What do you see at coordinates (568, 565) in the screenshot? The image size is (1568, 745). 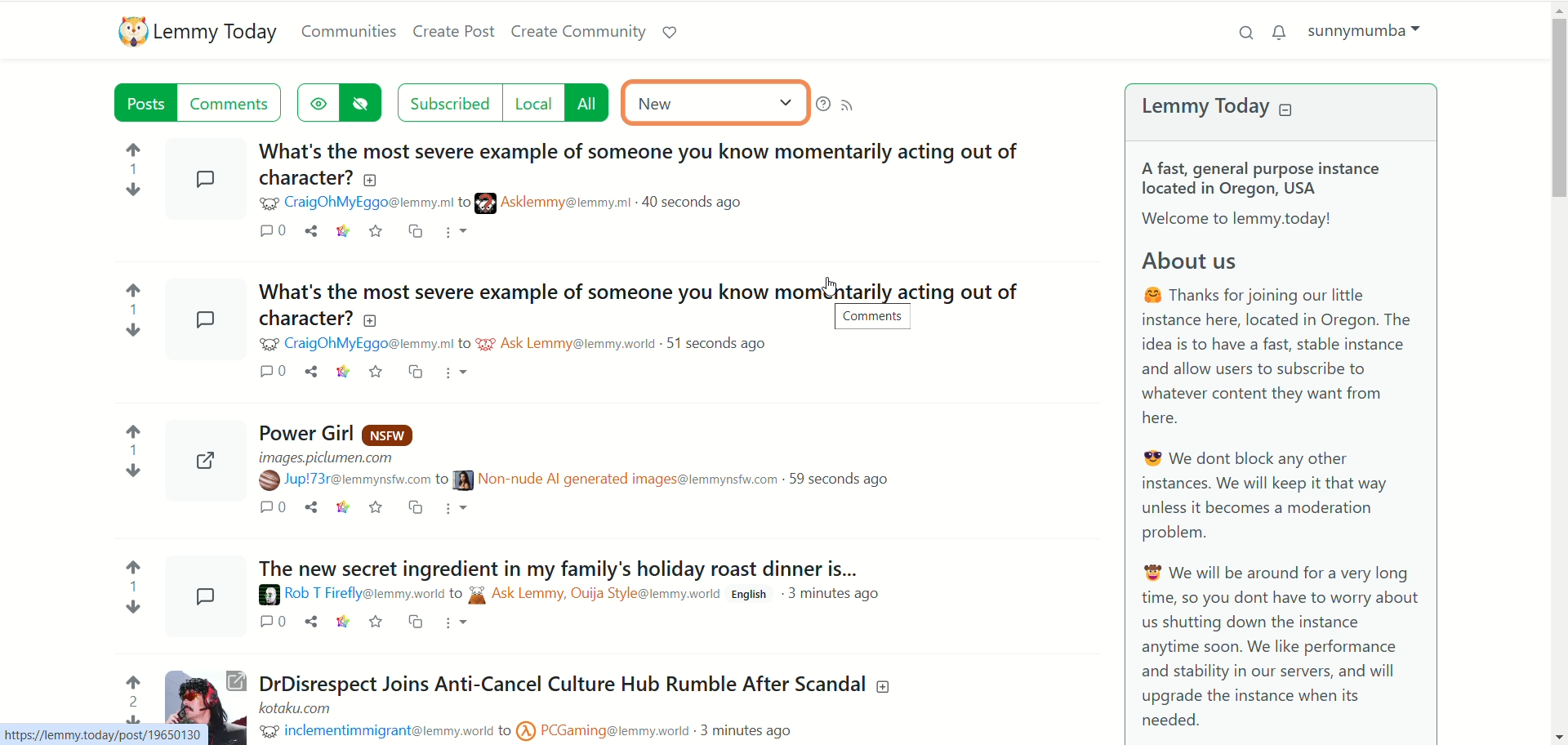 I see `The new secret ingredient in my family's holiday roast dinner is...` at bounding box center [568, 565].